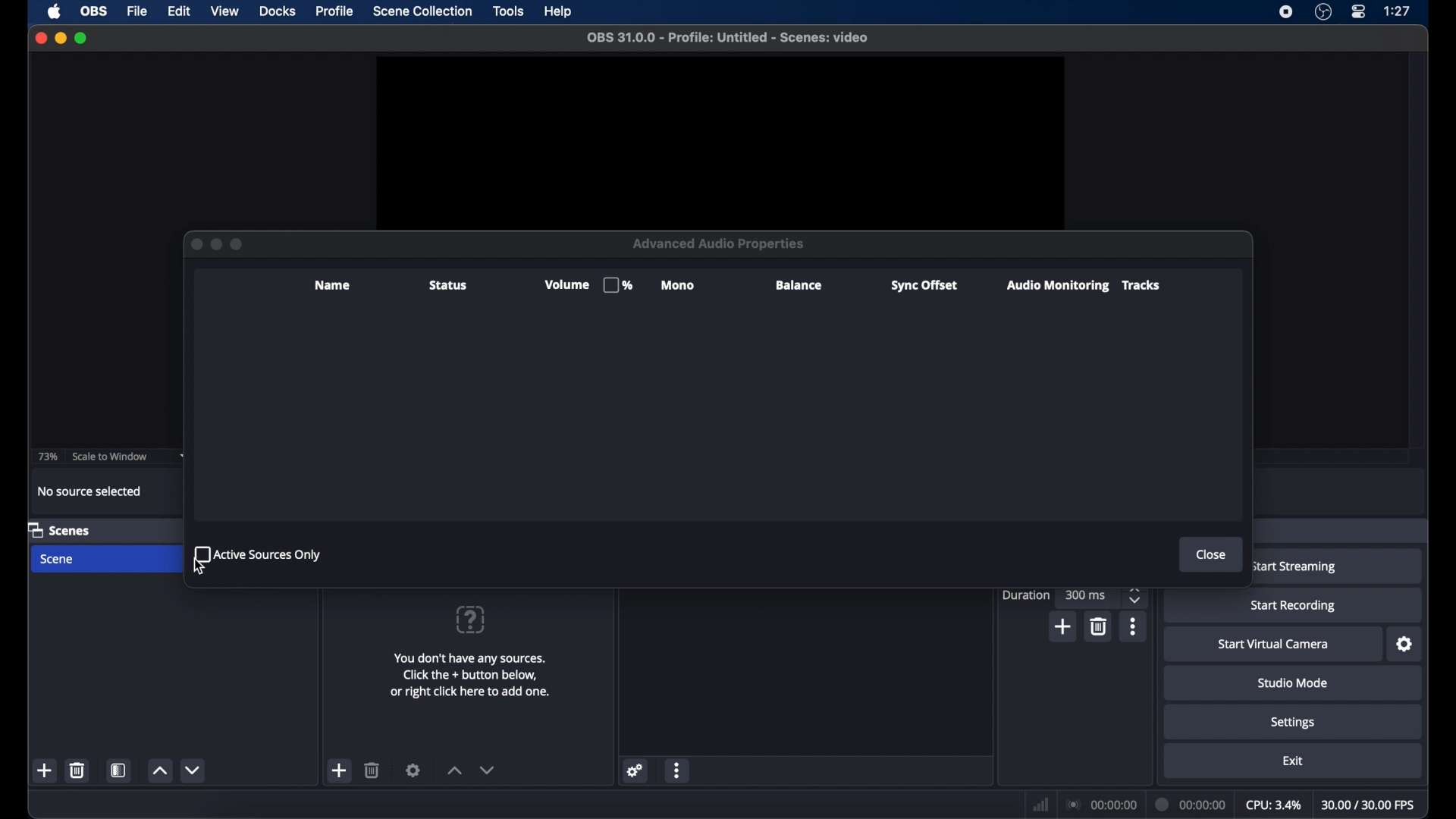 Image resolution: width=1456 pixels, height=819 pixels. What do you see at coordinates (333, 12) in the screenshot?
I see `profile` at bounding box center [333, 12].